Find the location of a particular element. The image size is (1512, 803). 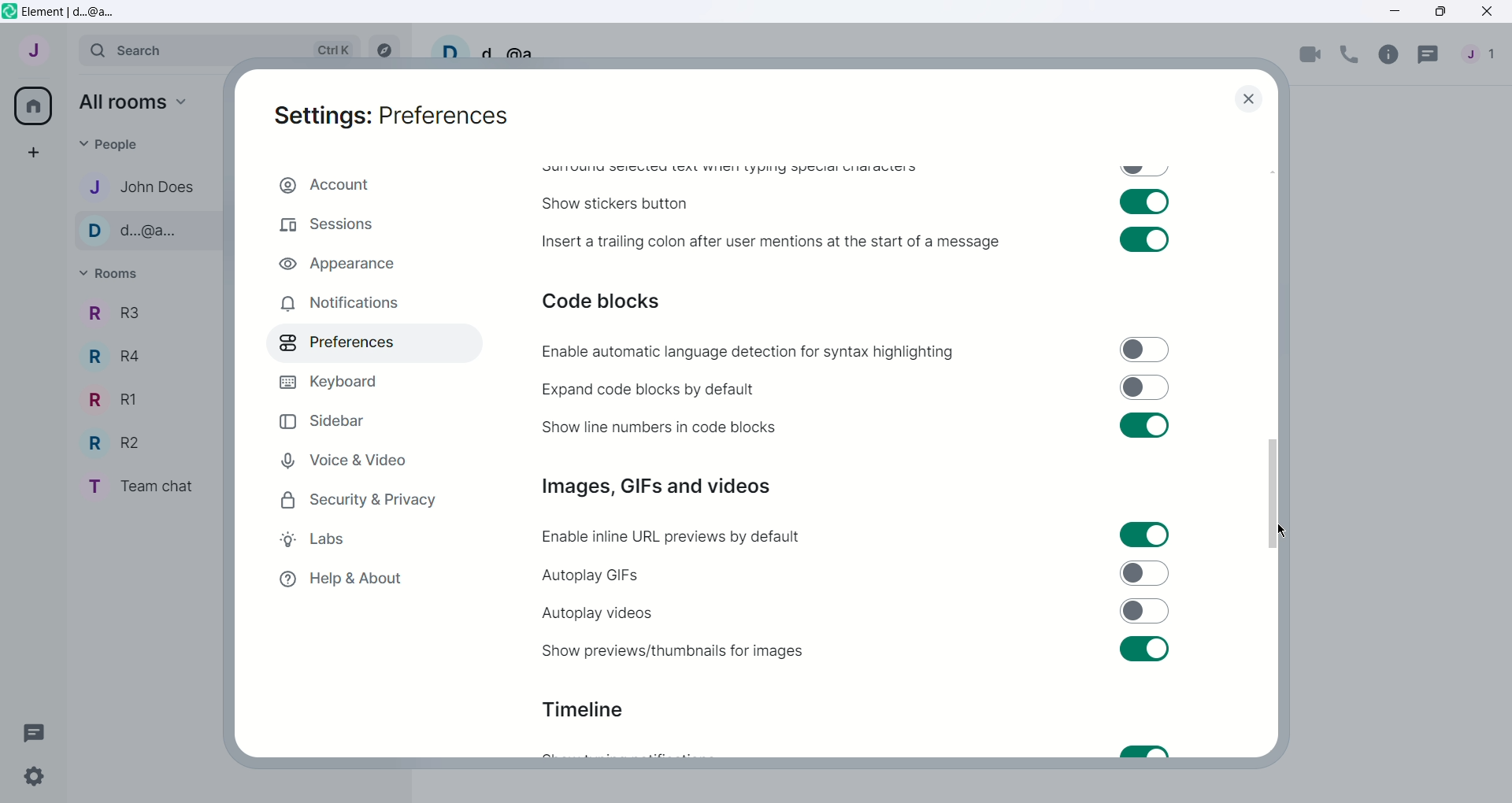

Enable automatic language detection for syntax highlighting is located at coordinates (748, 351).